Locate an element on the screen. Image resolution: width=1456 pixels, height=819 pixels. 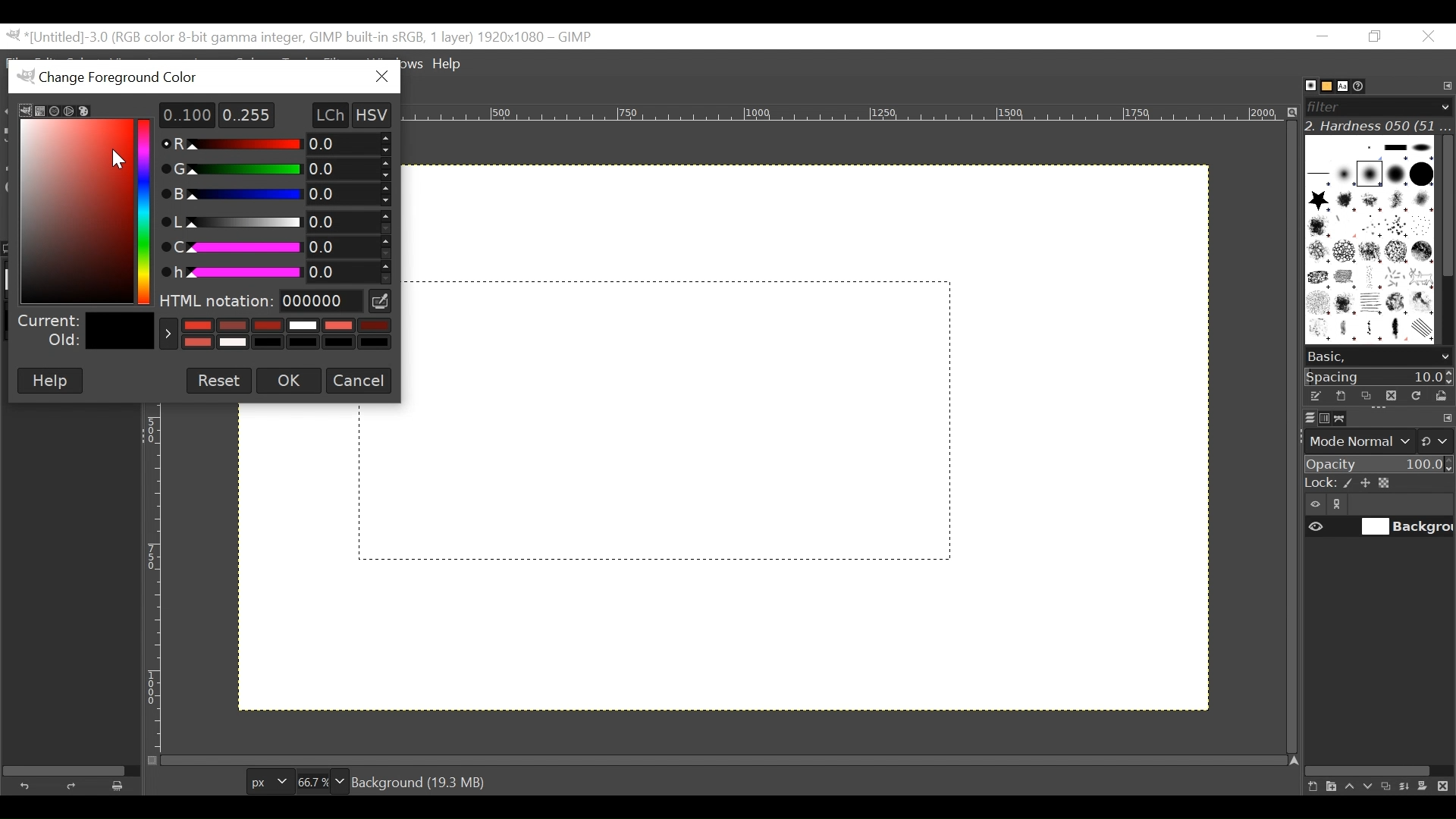
Green is located at coordinates (270, 169).